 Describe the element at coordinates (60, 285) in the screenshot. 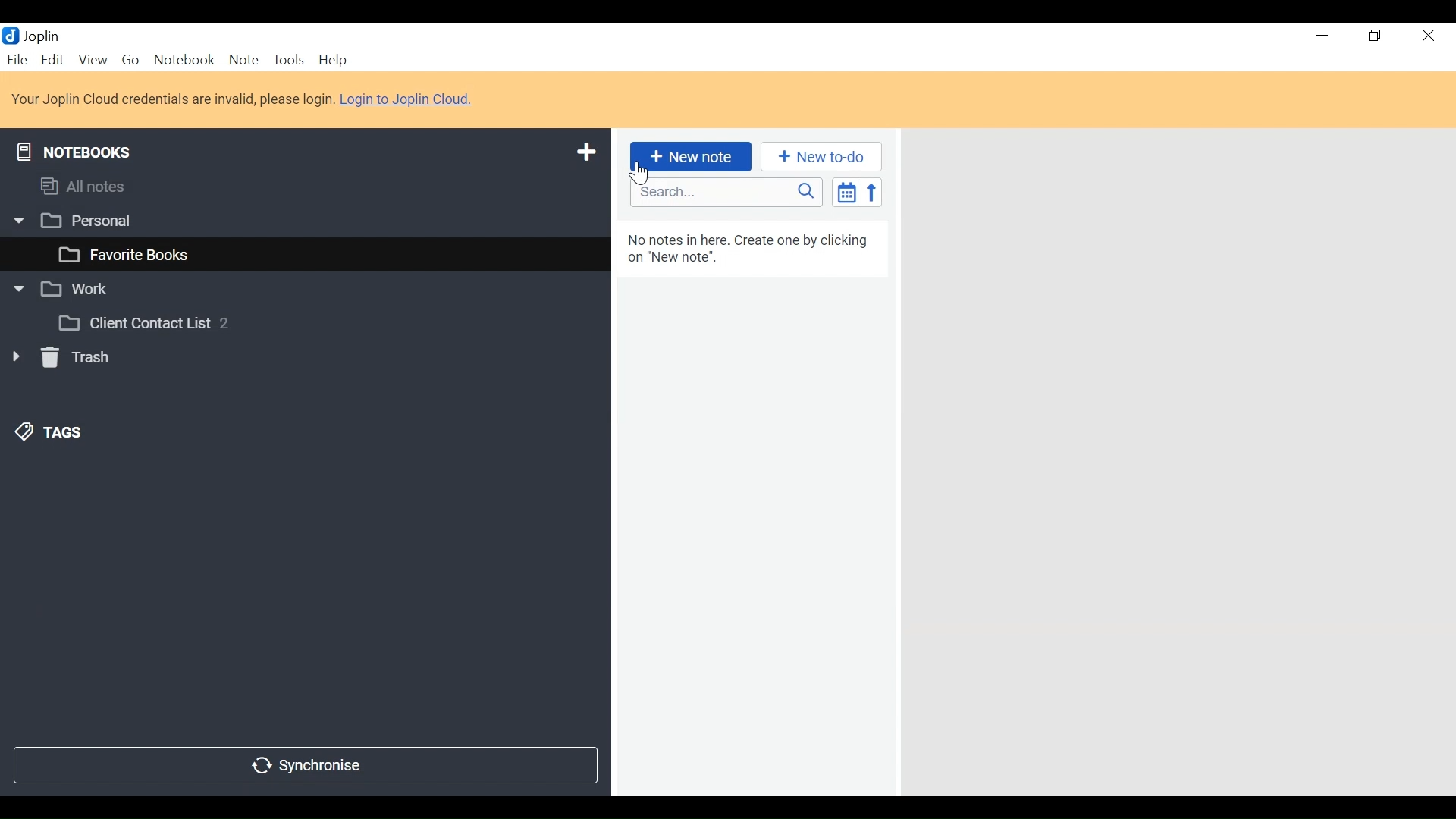

I see ` Work` at that location.